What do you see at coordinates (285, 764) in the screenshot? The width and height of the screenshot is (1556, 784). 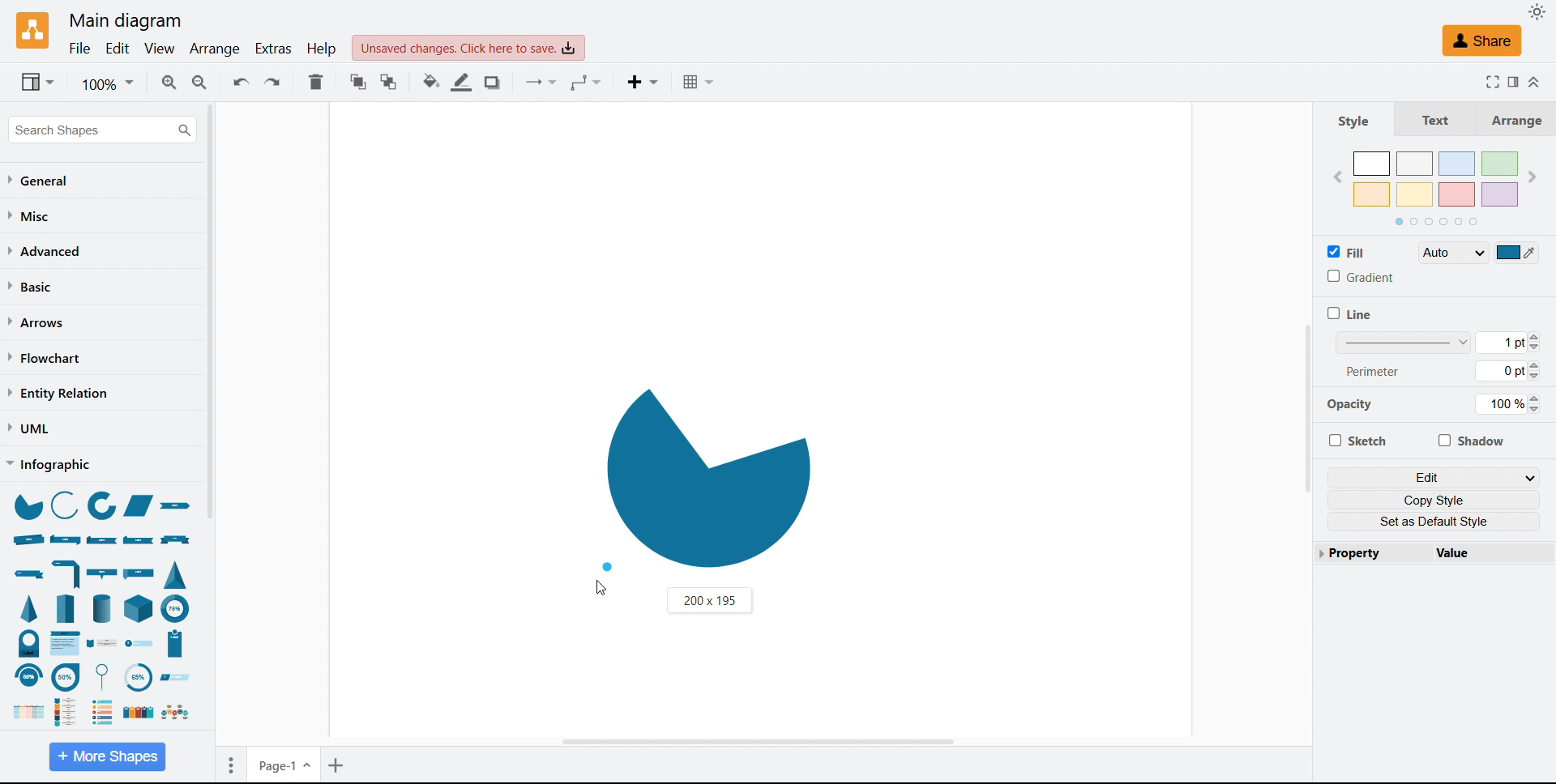 I see `Page 1 ` at bounding box center [285, 764].